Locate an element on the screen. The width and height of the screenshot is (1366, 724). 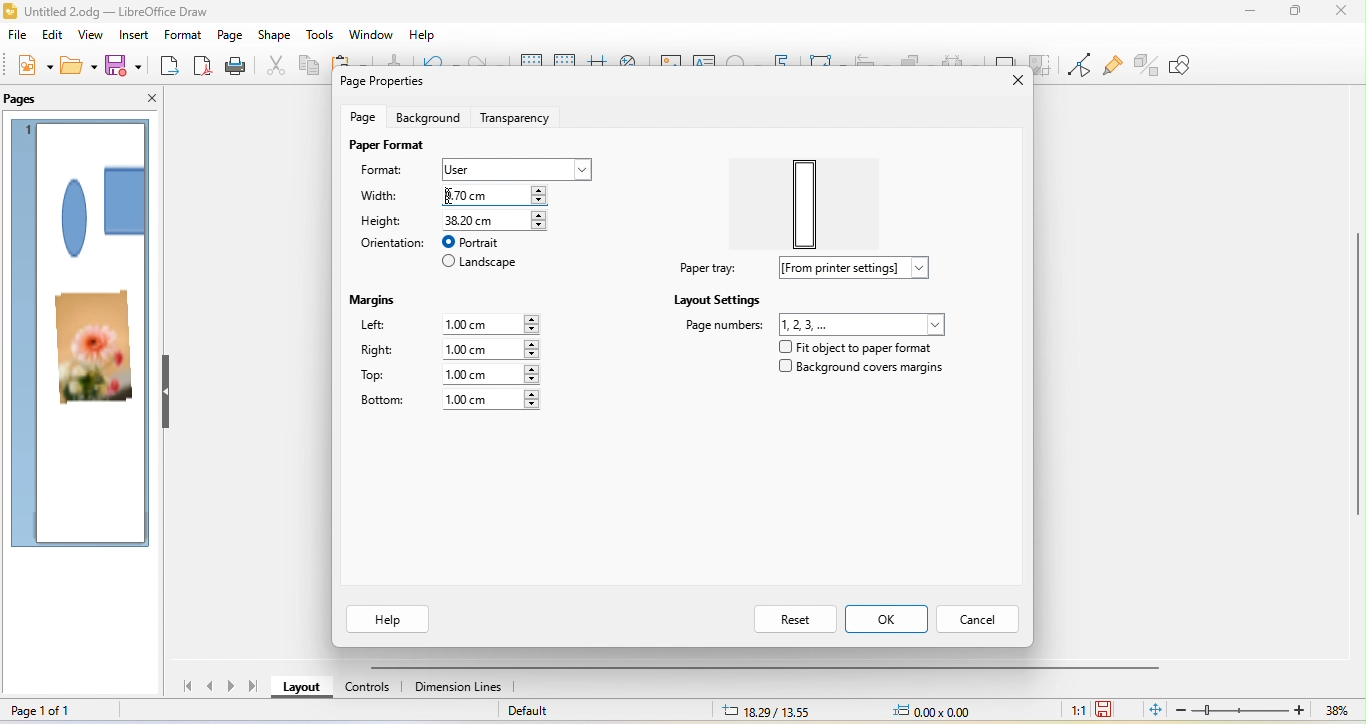
fit page to current window is located at coordinates (1152, 711).